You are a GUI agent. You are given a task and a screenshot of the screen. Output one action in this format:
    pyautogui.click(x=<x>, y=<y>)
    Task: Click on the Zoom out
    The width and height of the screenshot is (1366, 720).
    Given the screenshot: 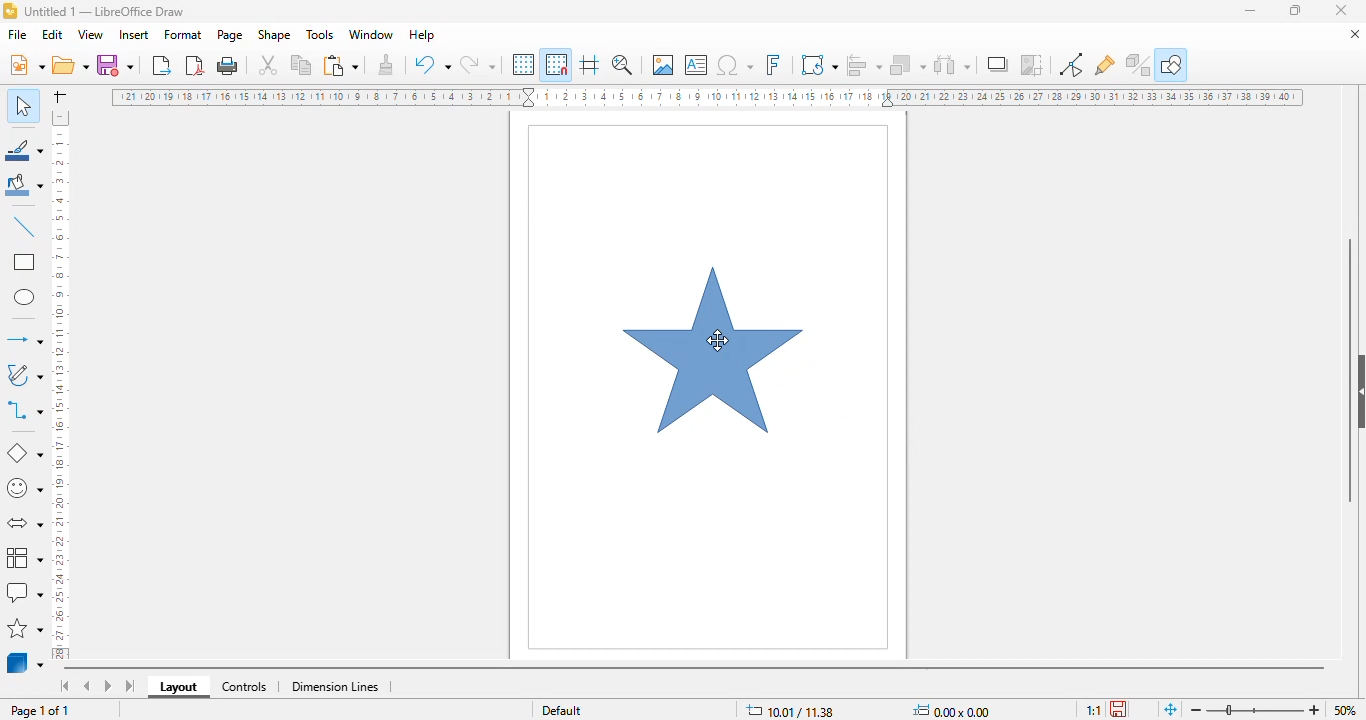 What is the action you would take?
    pyautogui.click(x=1197, y=710)
    